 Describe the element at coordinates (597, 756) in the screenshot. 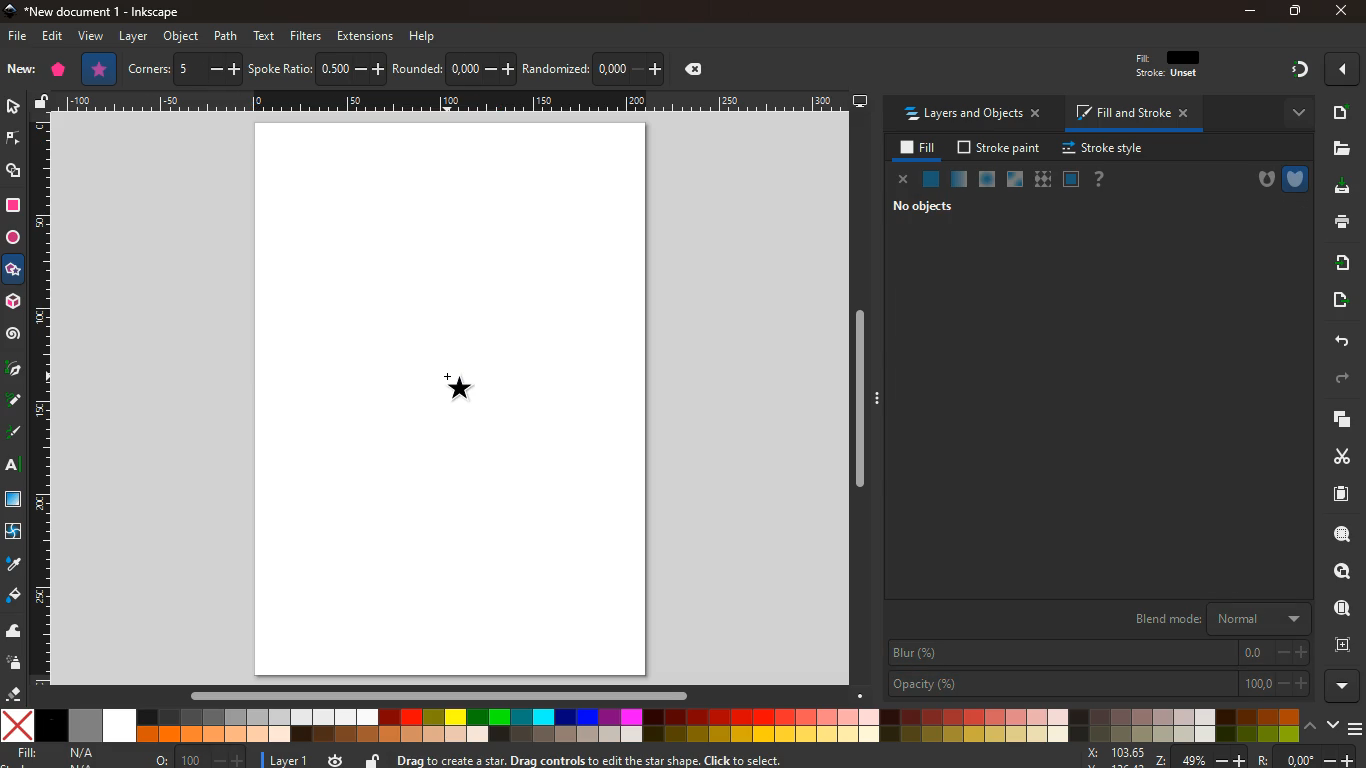

I see `Drag to create a star. Drag controls to edit the star shape. Click to select.` at that location.